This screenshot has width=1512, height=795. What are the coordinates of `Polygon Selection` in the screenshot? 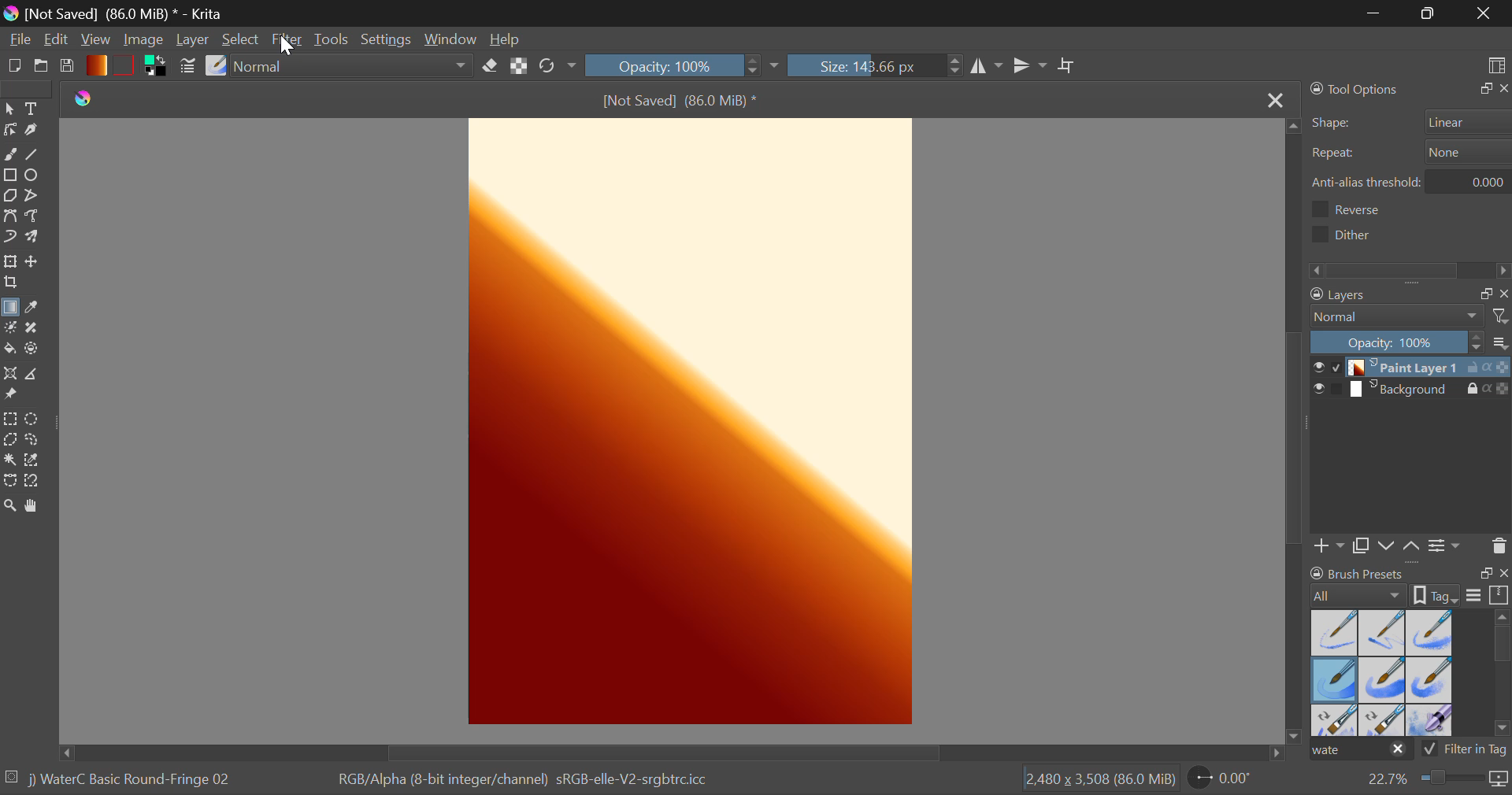 It's located at (10, 442).